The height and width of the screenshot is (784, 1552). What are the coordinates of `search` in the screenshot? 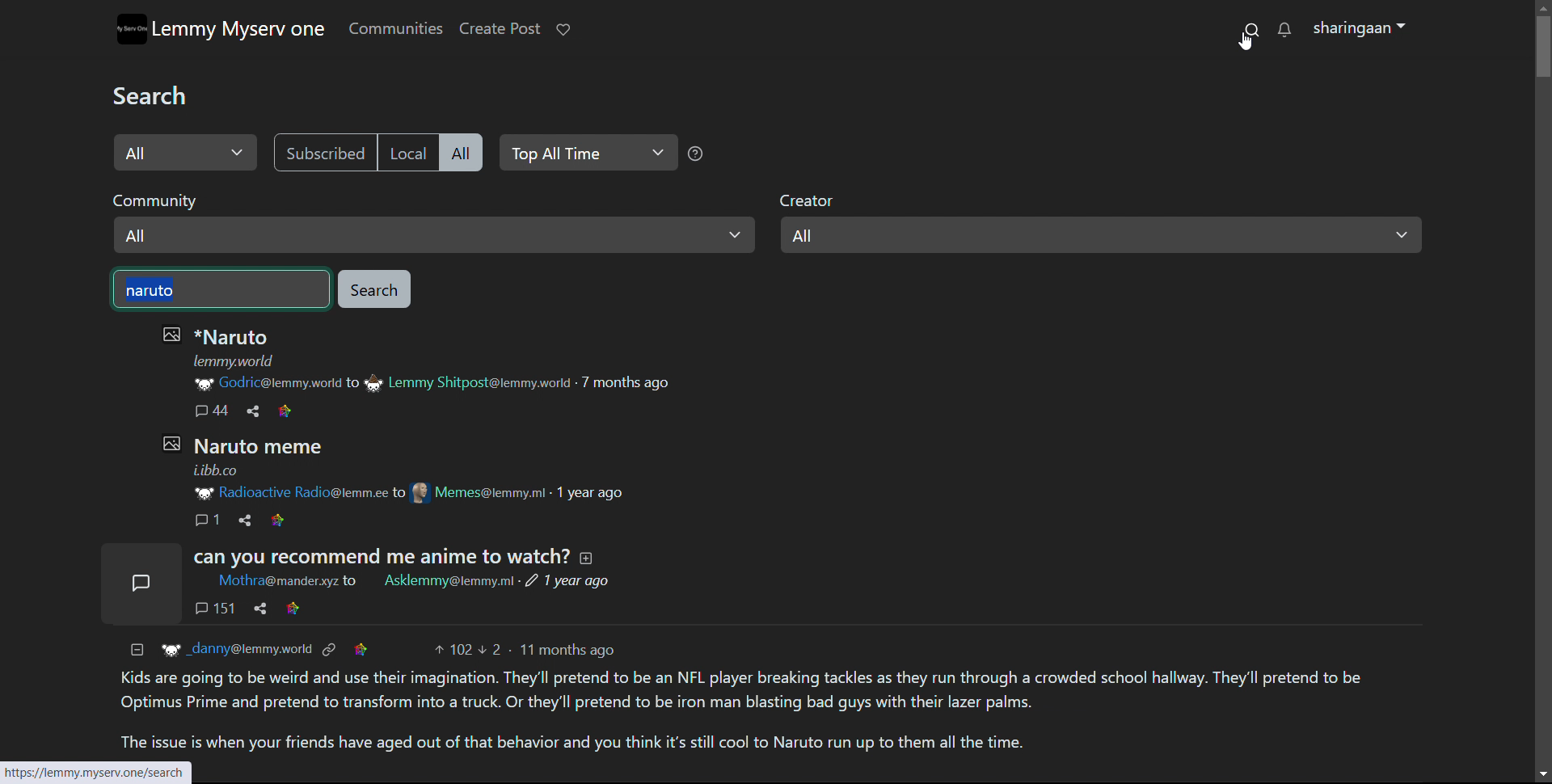 It's located at (1250, 28).